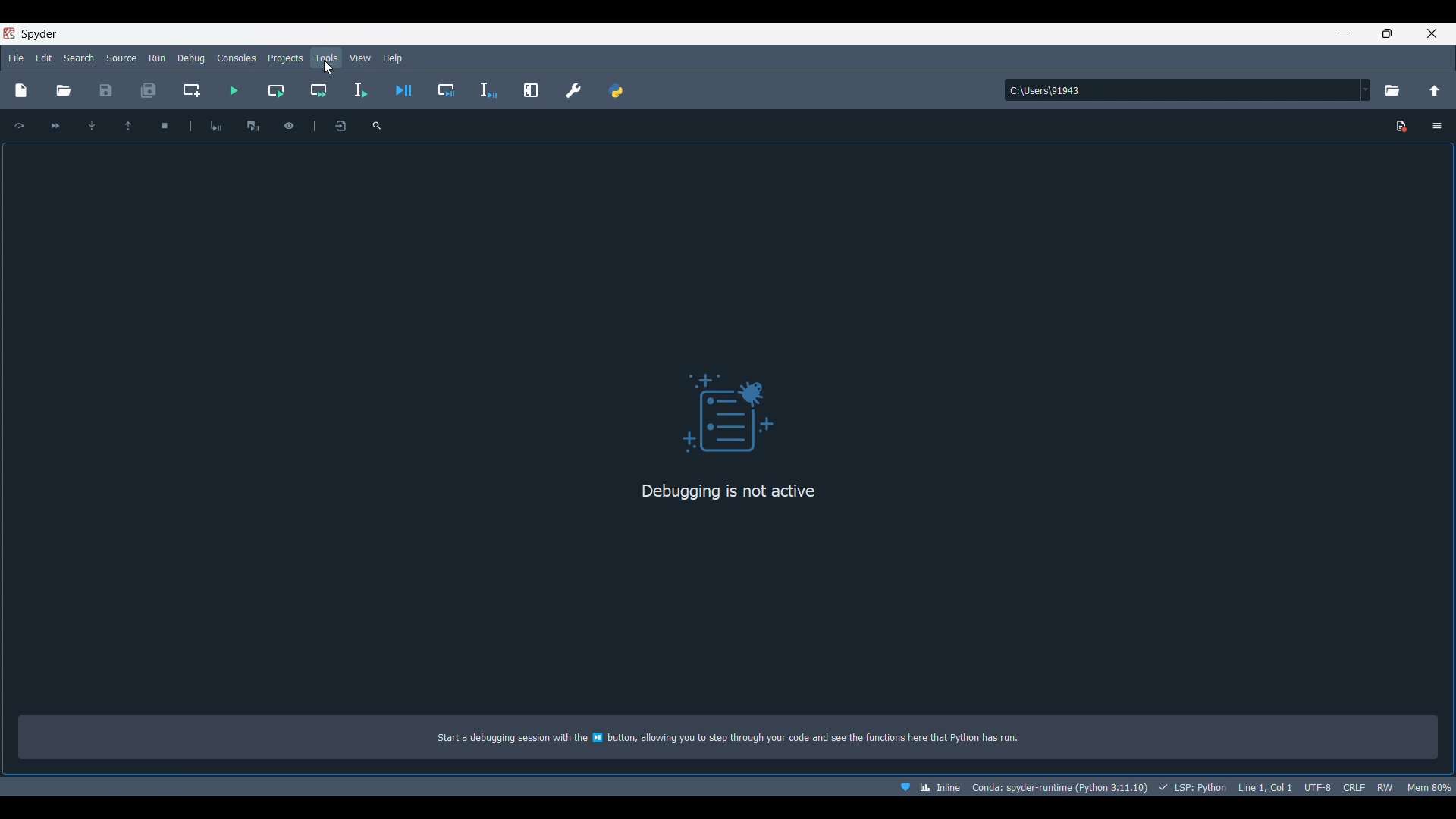  Describe the element at coordinates (275, 91) in the screenshot. I see `Run current cell` at that location.